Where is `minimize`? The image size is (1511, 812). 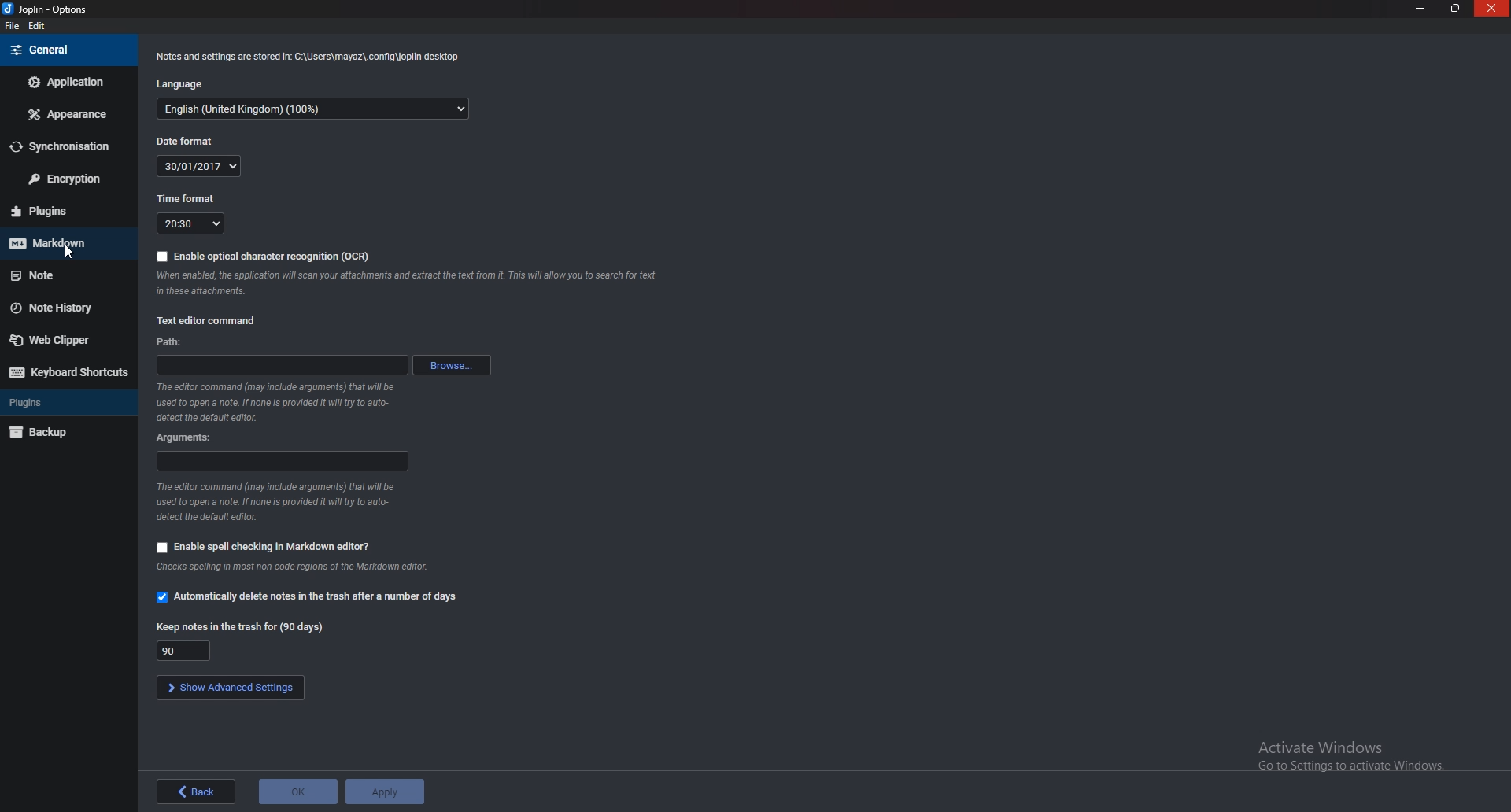 minimize is located at coordinates (1423, 9).